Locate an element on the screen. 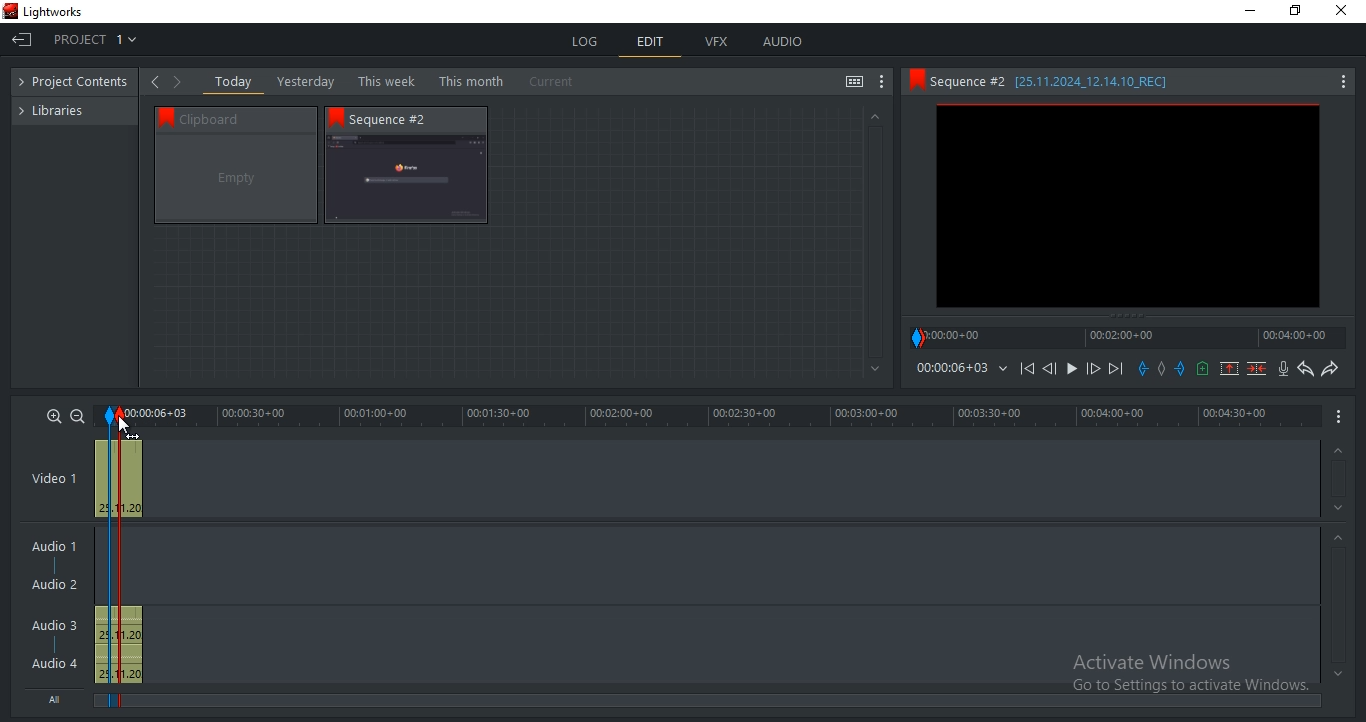 The image size is (1366, 722). sequence 2 is located at coordinates (406, 180).